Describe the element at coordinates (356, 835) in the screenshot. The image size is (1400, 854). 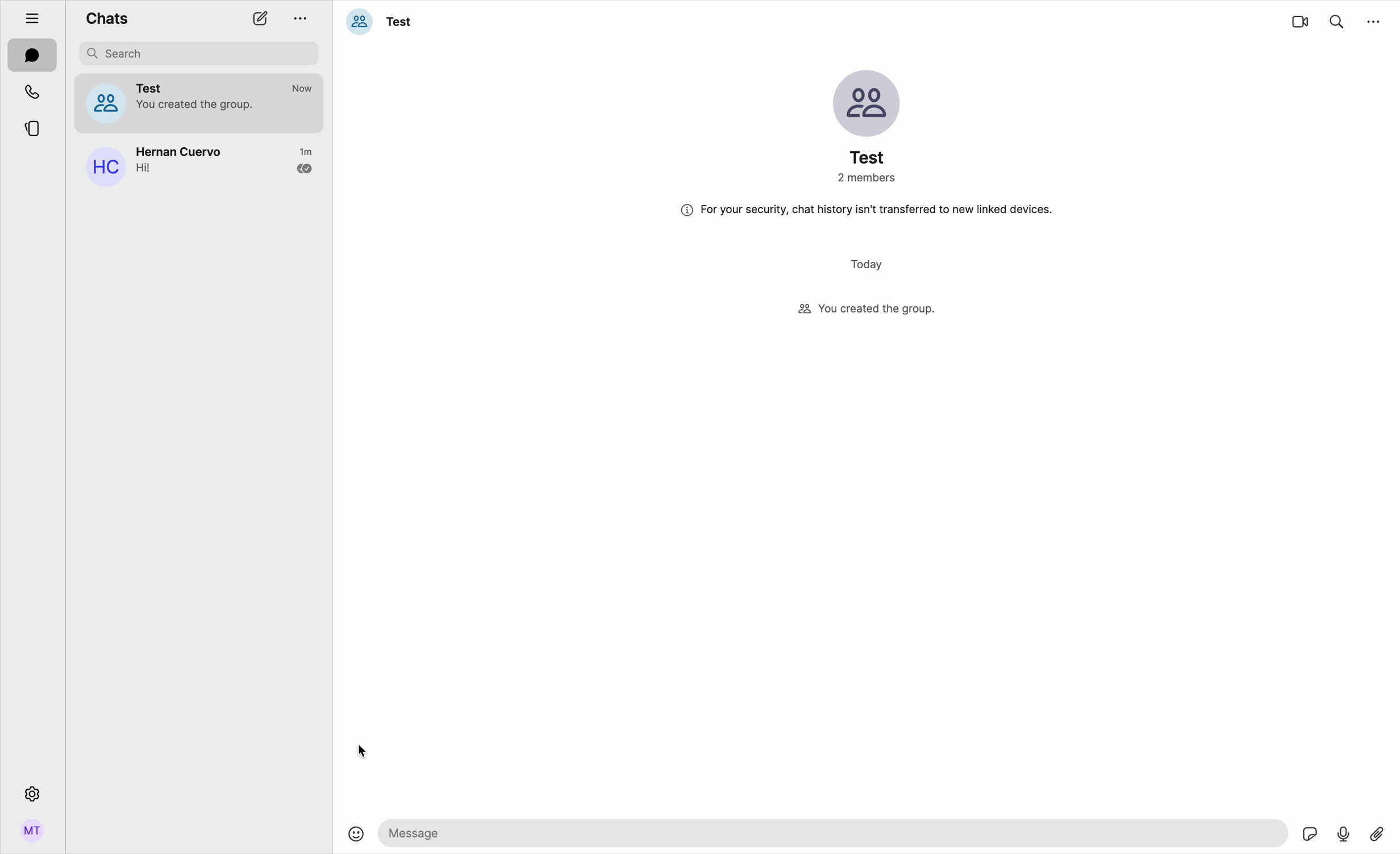
I see `emoji` at that location.